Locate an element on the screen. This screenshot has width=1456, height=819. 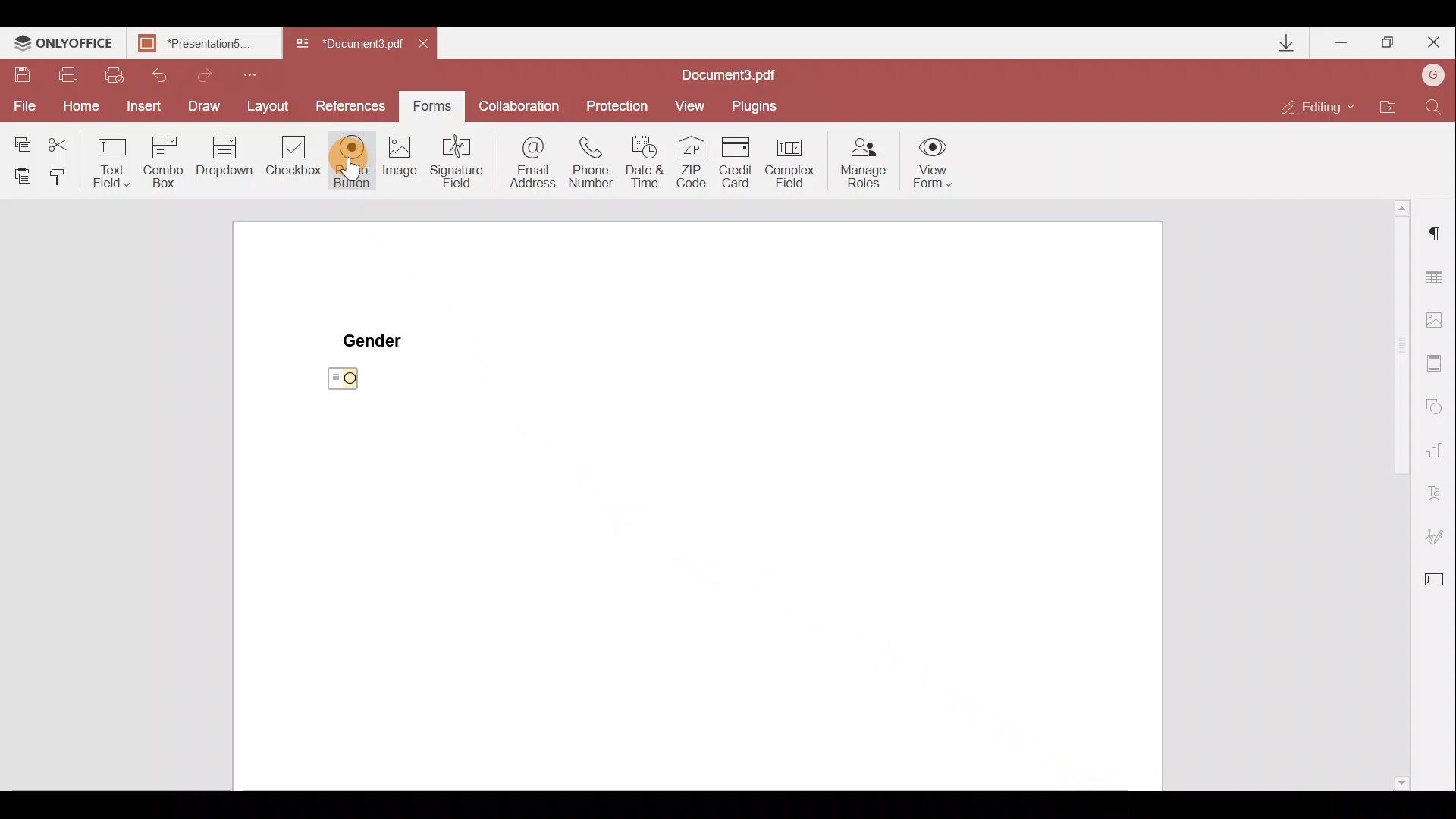
Plugins is located at coordinates (760, 103).